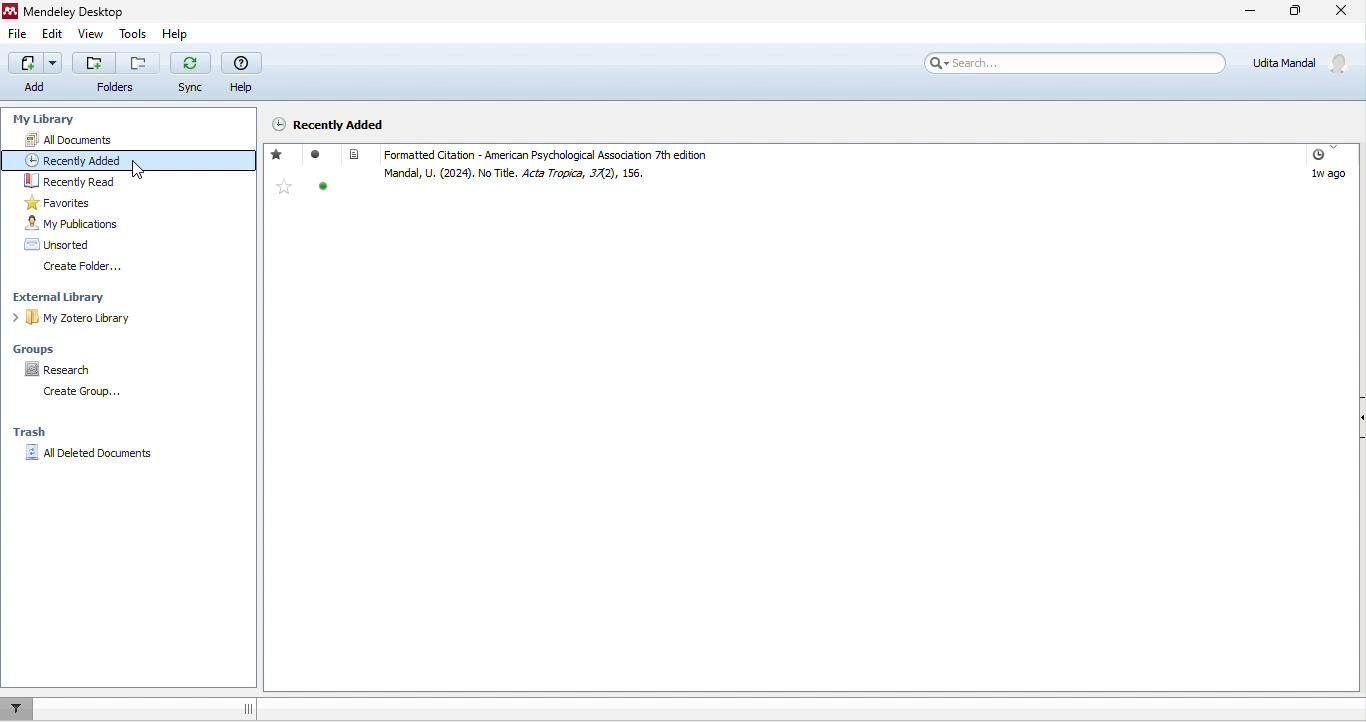 The image size is (1366, 722). Describe the element at coordinates (91, 34) in the screenshot. I see `view` at that location.